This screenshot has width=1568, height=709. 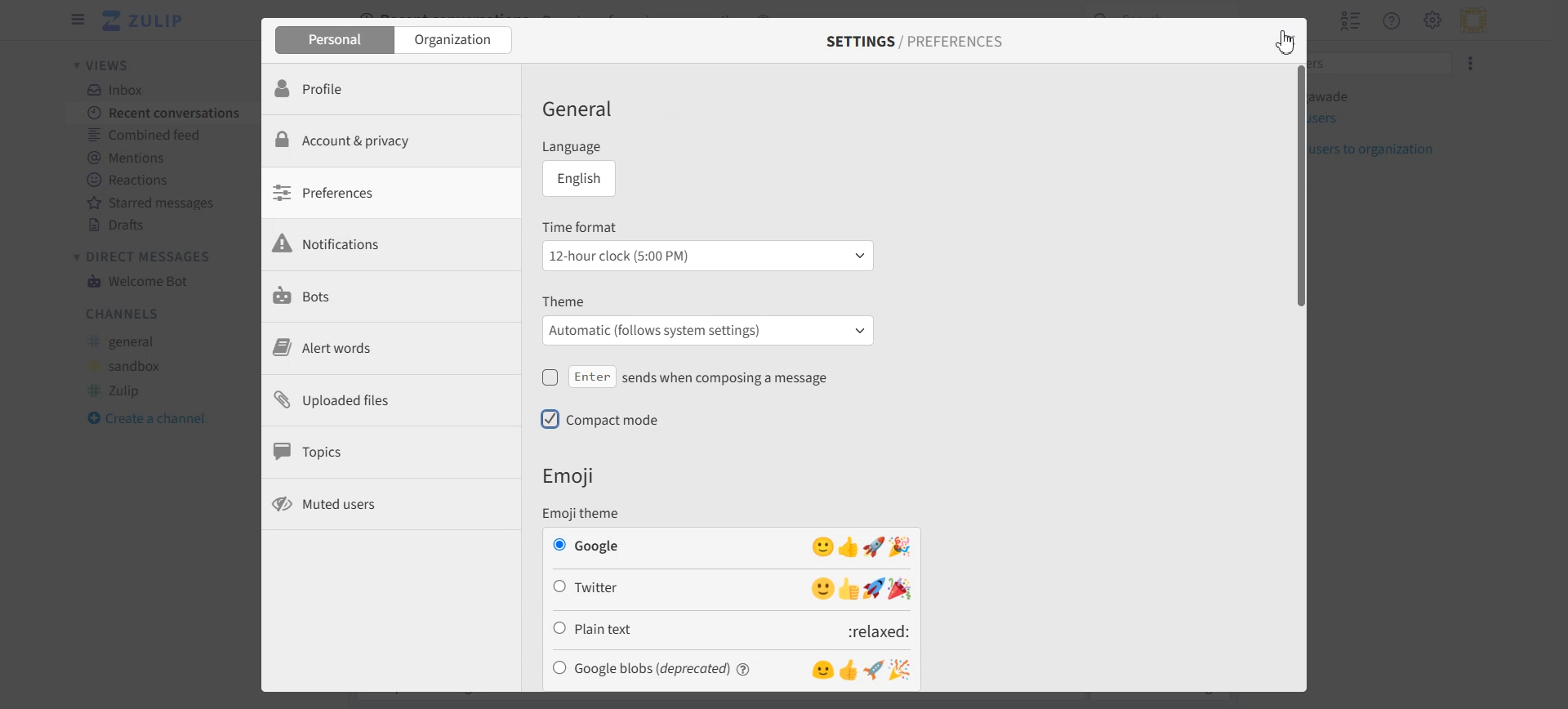 I want to click on Profile, so click(x=390, y=91).